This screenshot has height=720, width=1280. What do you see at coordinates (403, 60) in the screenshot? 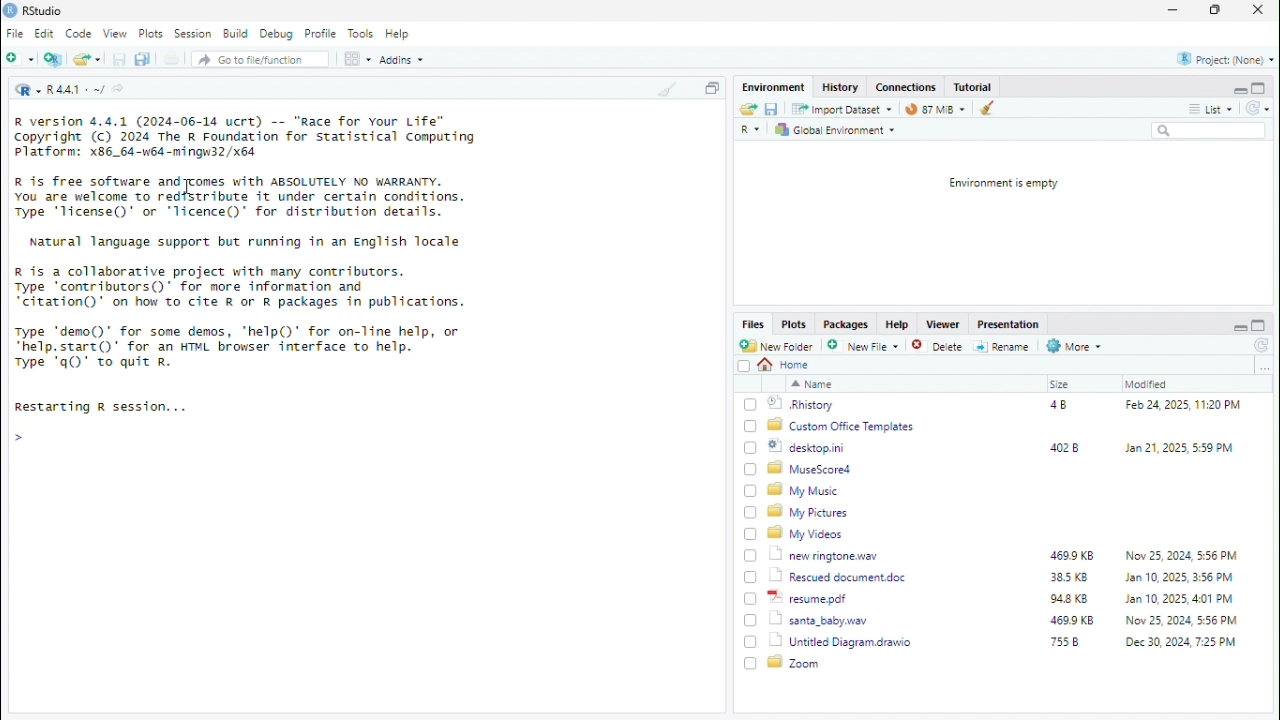
I see `Addins` at bounding box center [403, 60].